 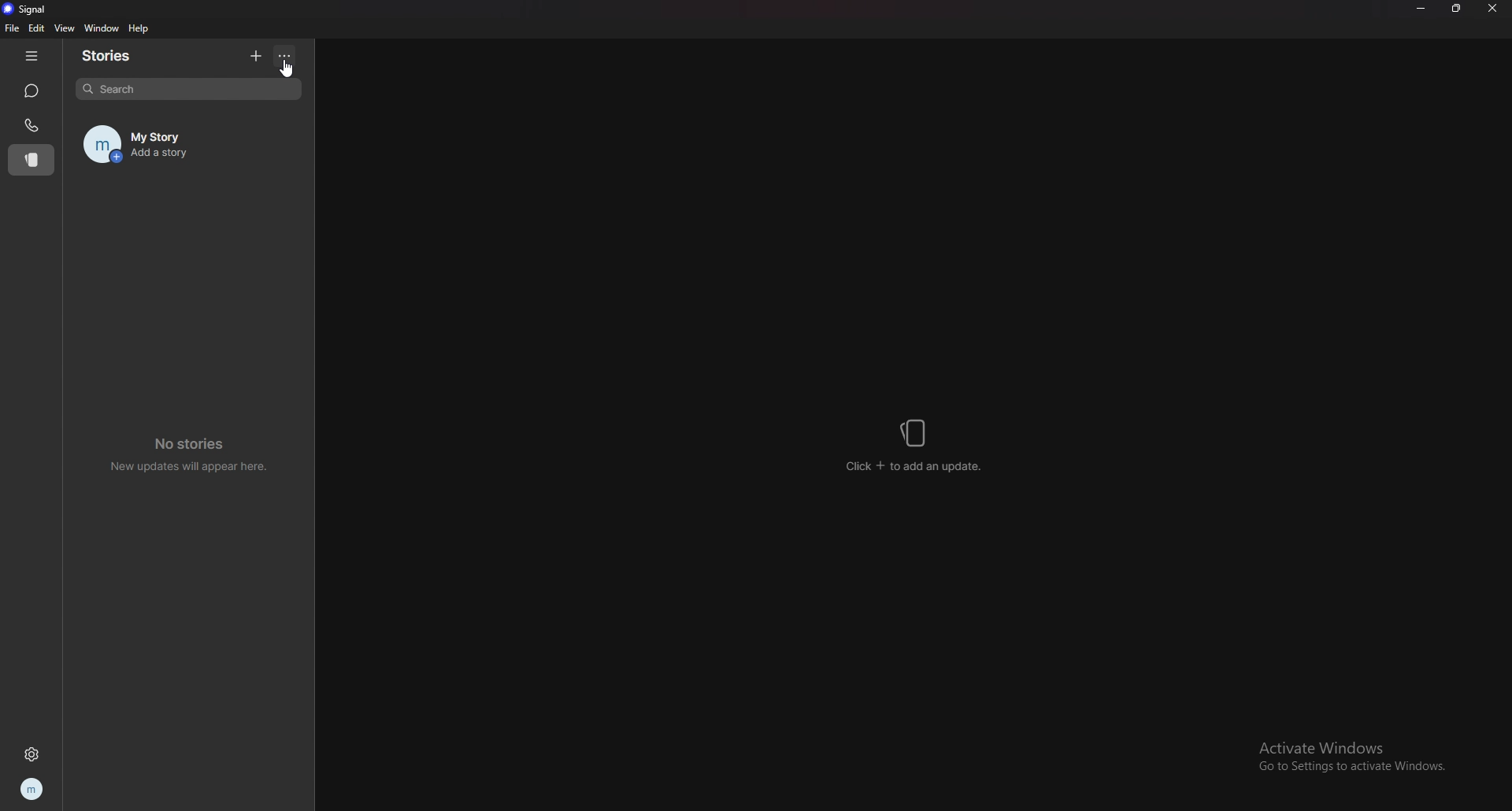 I want to click on hide tab, so click(x=31, y=56).